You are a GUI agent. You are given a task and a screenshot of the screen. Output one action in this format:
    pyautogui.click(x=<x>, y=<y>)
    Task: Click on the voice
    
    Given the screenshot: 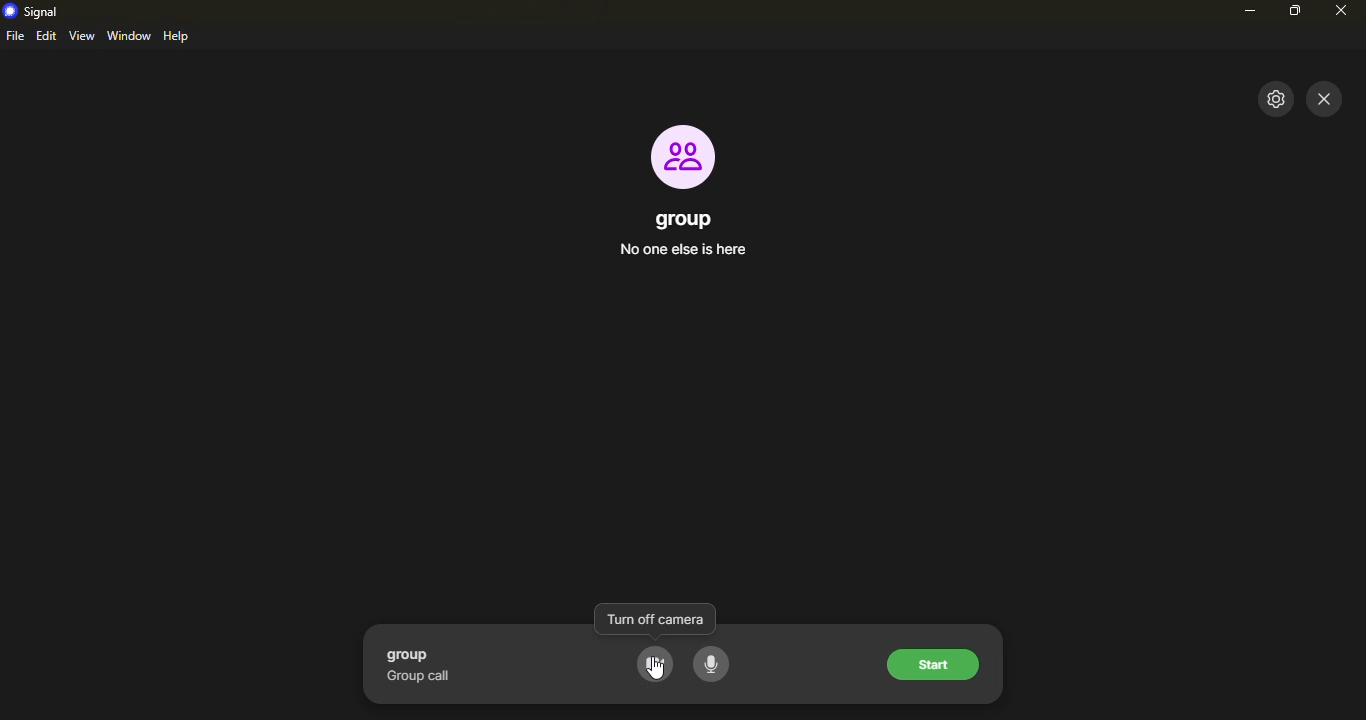 What is the action you would take?
    pyautogui.click(x=711, y=664)
    